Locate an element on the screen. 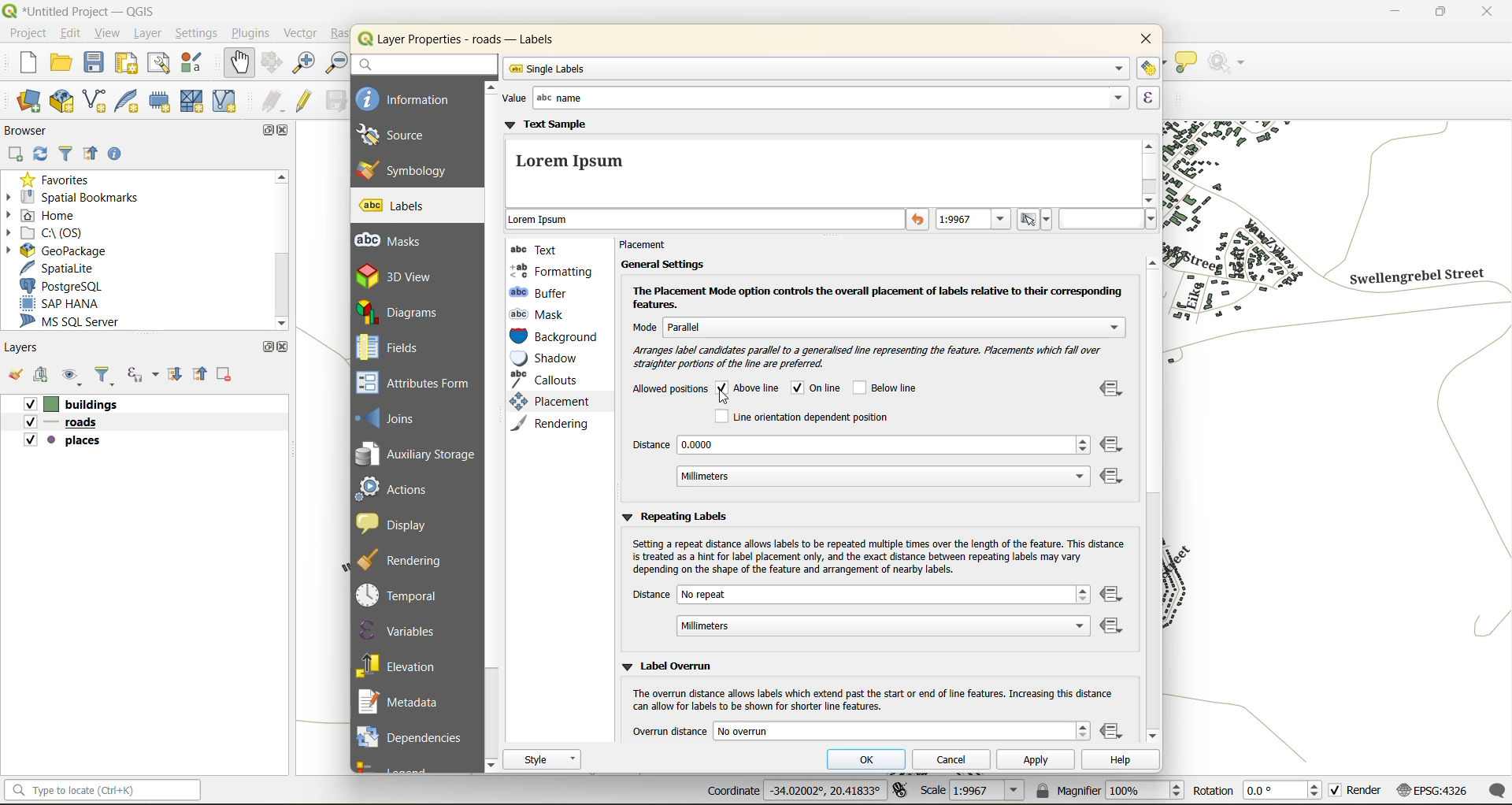  style is located at coordinates (543, 759).